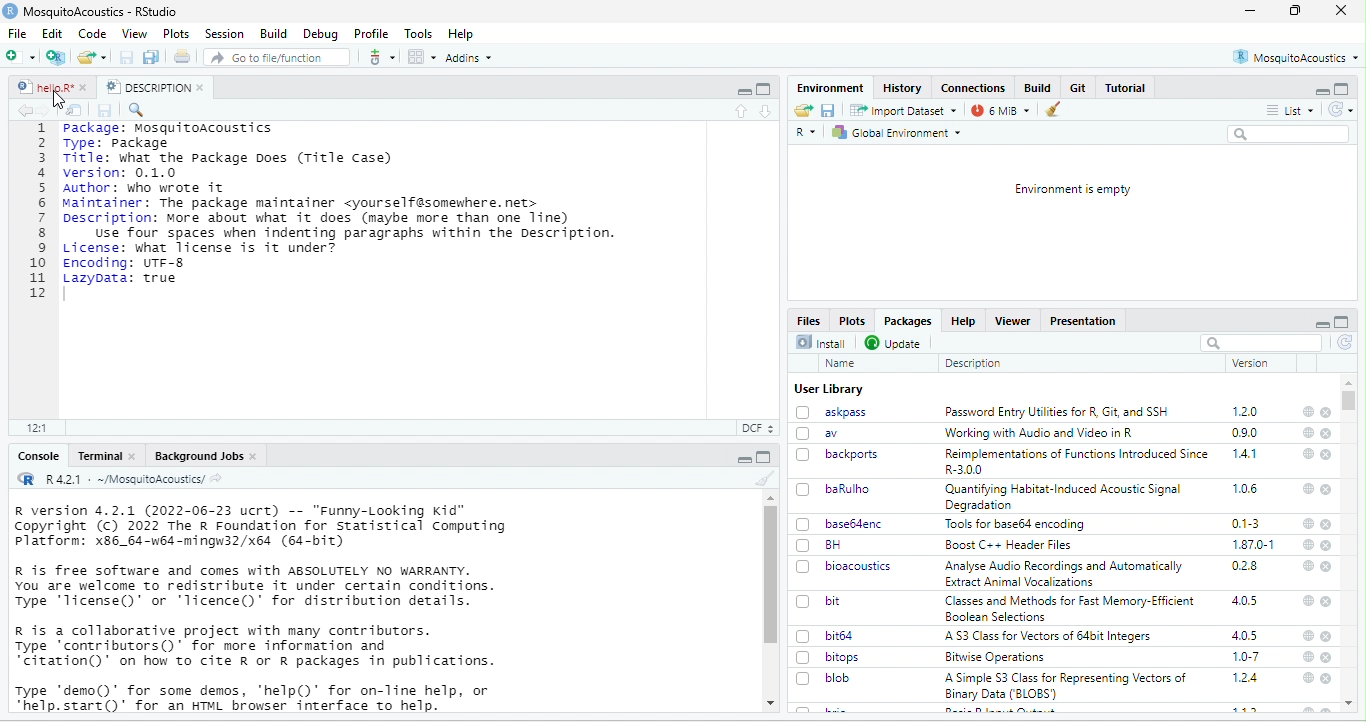 The image size is (1366, 722). Describe the element at coordinates (1262, 342) in the screenshot. I see `search bar` at that location.